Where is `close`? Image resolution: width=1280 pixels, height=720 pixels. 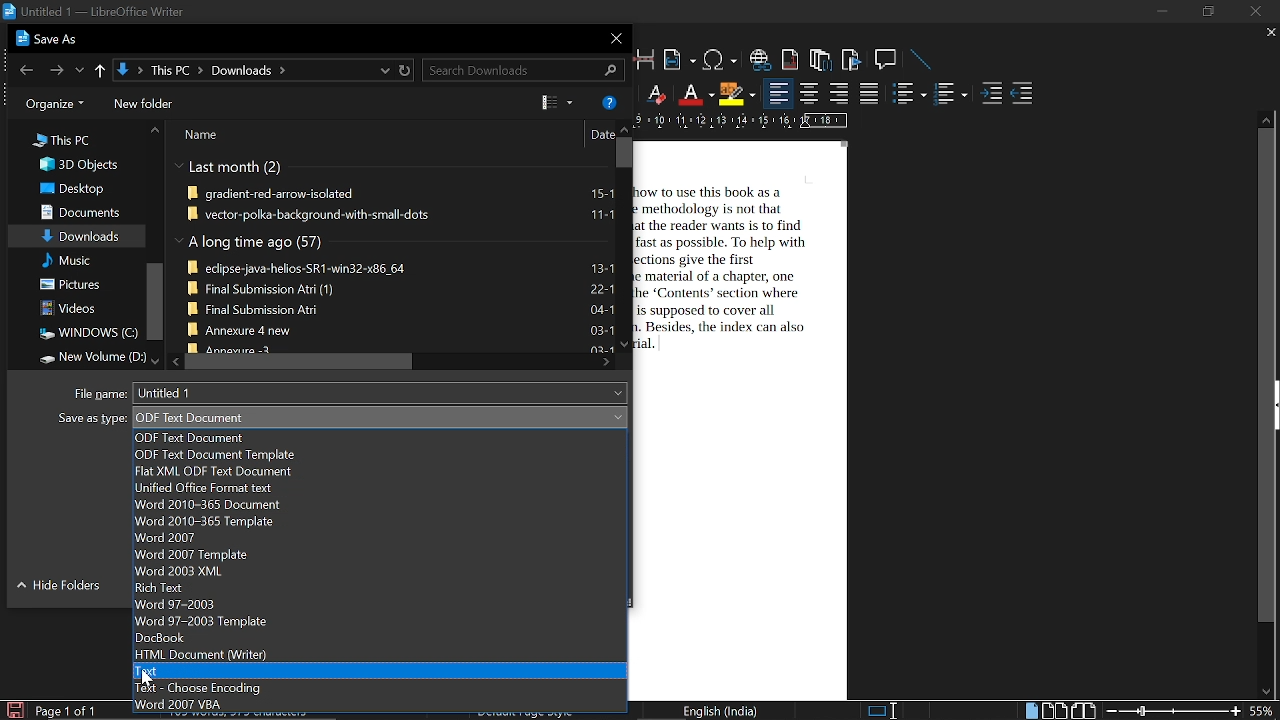
close is located at coordinates (1257, 11).